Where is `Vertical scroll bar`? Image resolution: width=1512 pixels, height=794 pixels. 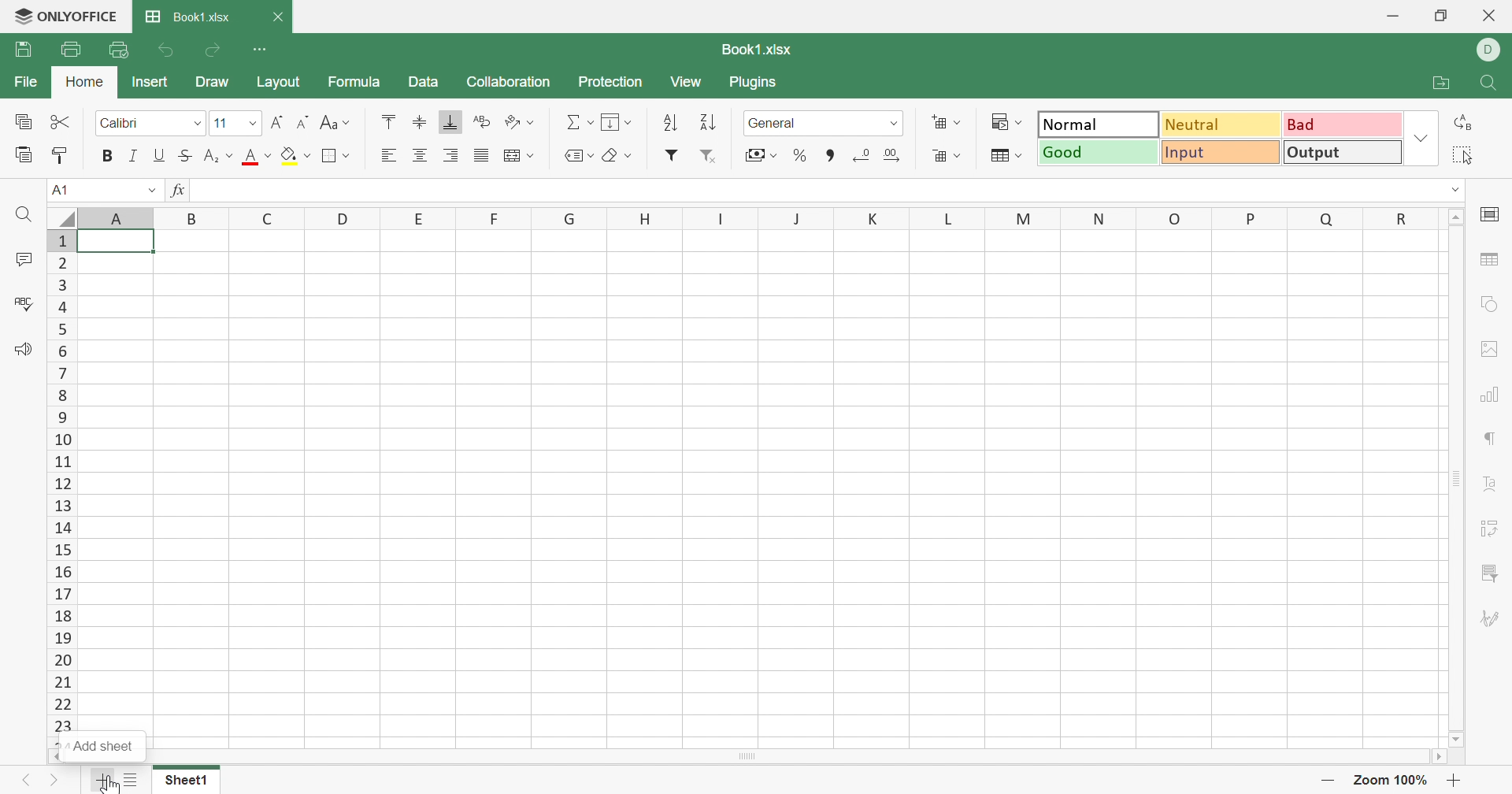 Vertical scroll bar is located at coordinates (1451, 477).